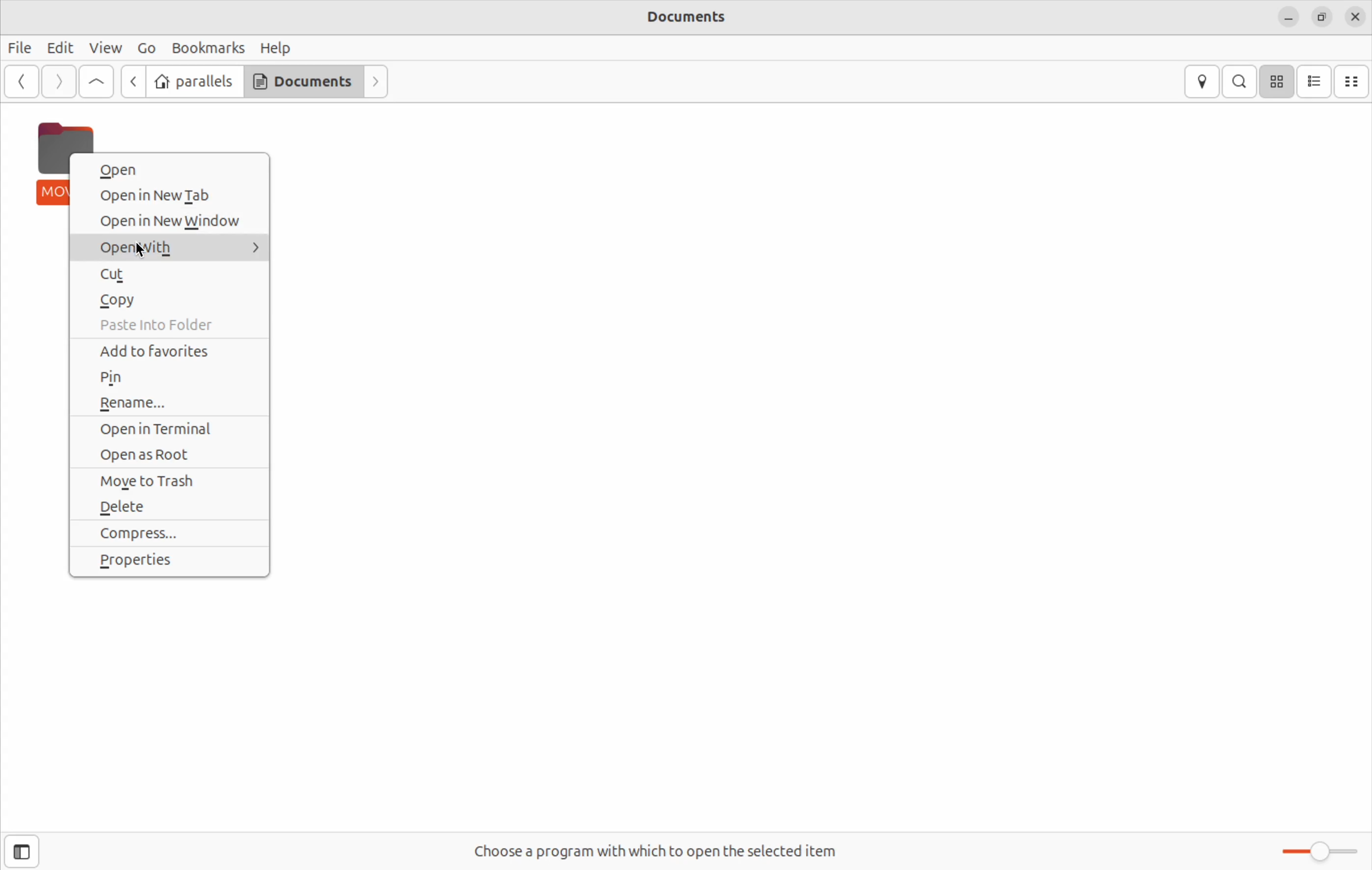  What do you see at coordinates (168, 248) in the screenshot?
I see `open with` at bounding box center [168, 248].